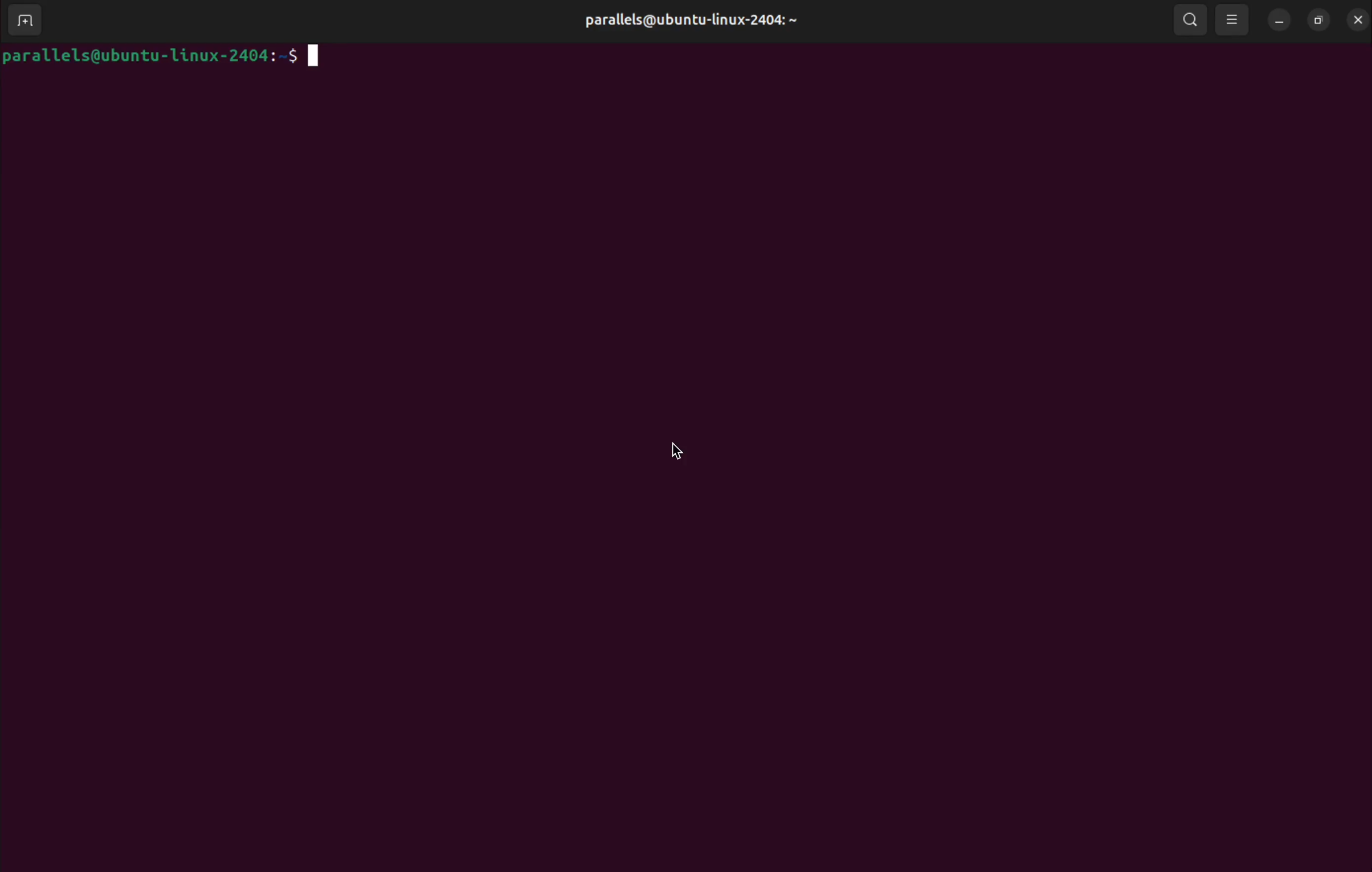 The width and height of the screenshot is (1372, 872). What do you see at coordinates (687, 21) in the screenshot?
I see `user profile` at bounding box center [687, 21].